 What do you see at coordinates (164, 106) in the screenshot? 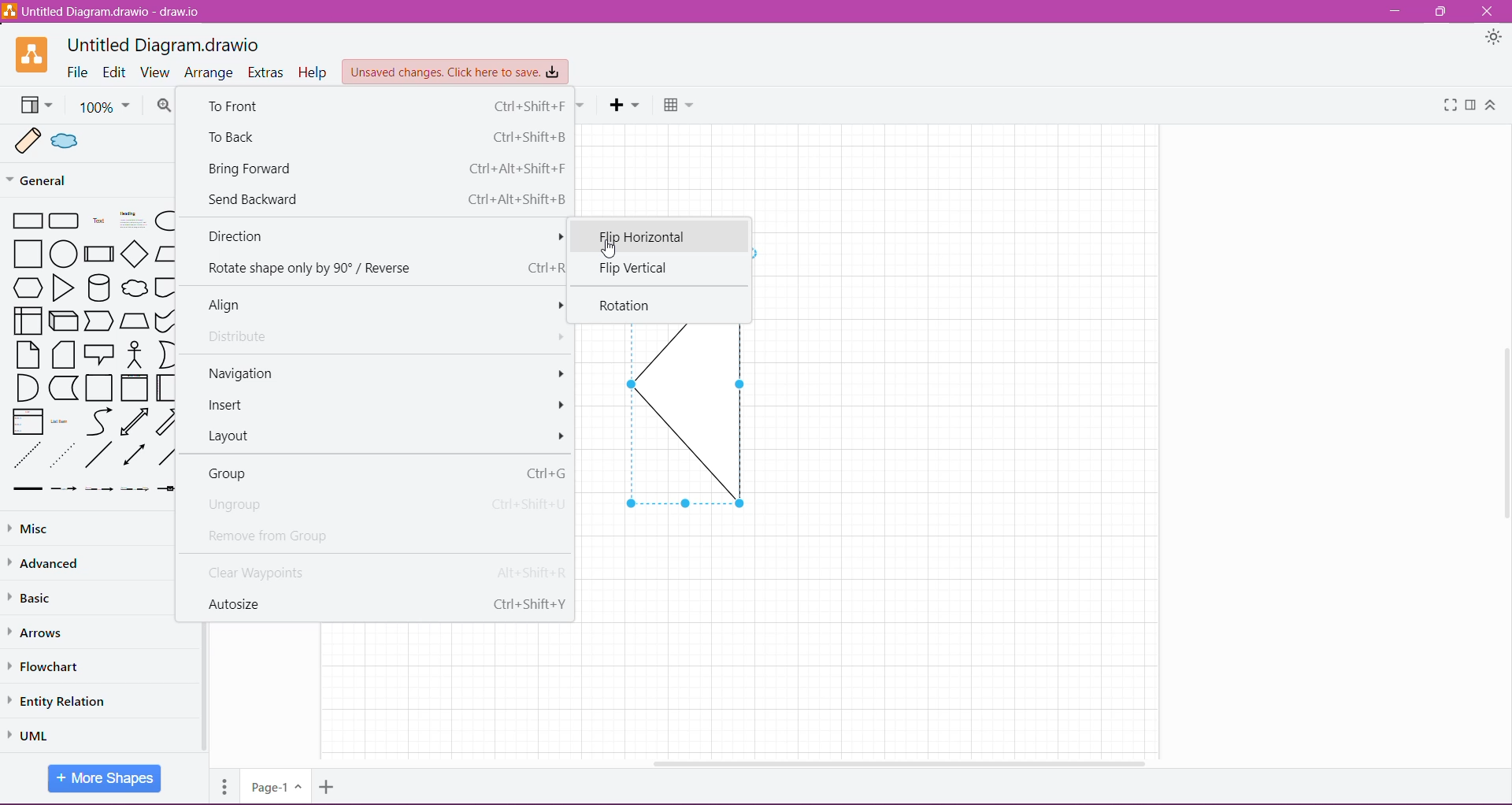
I see `Zoom In` at bounding box center [164, 106].